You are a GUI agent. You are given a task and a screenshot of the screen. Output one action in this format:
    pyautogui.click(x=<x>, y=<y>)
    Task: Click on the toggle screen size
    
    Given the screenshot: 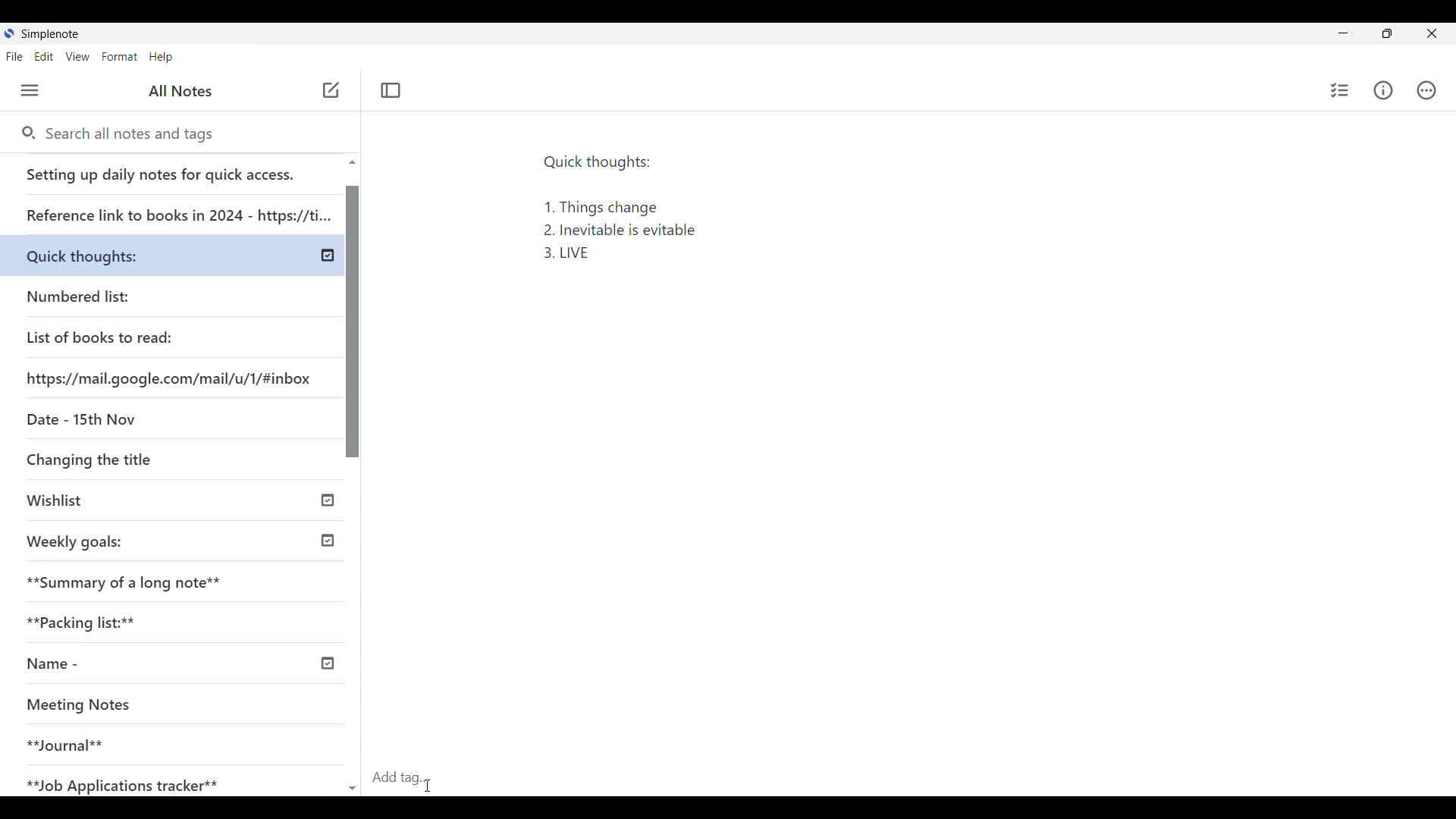 What is the action you would take?
    pyautogui.click(x=1387, y=33)
    